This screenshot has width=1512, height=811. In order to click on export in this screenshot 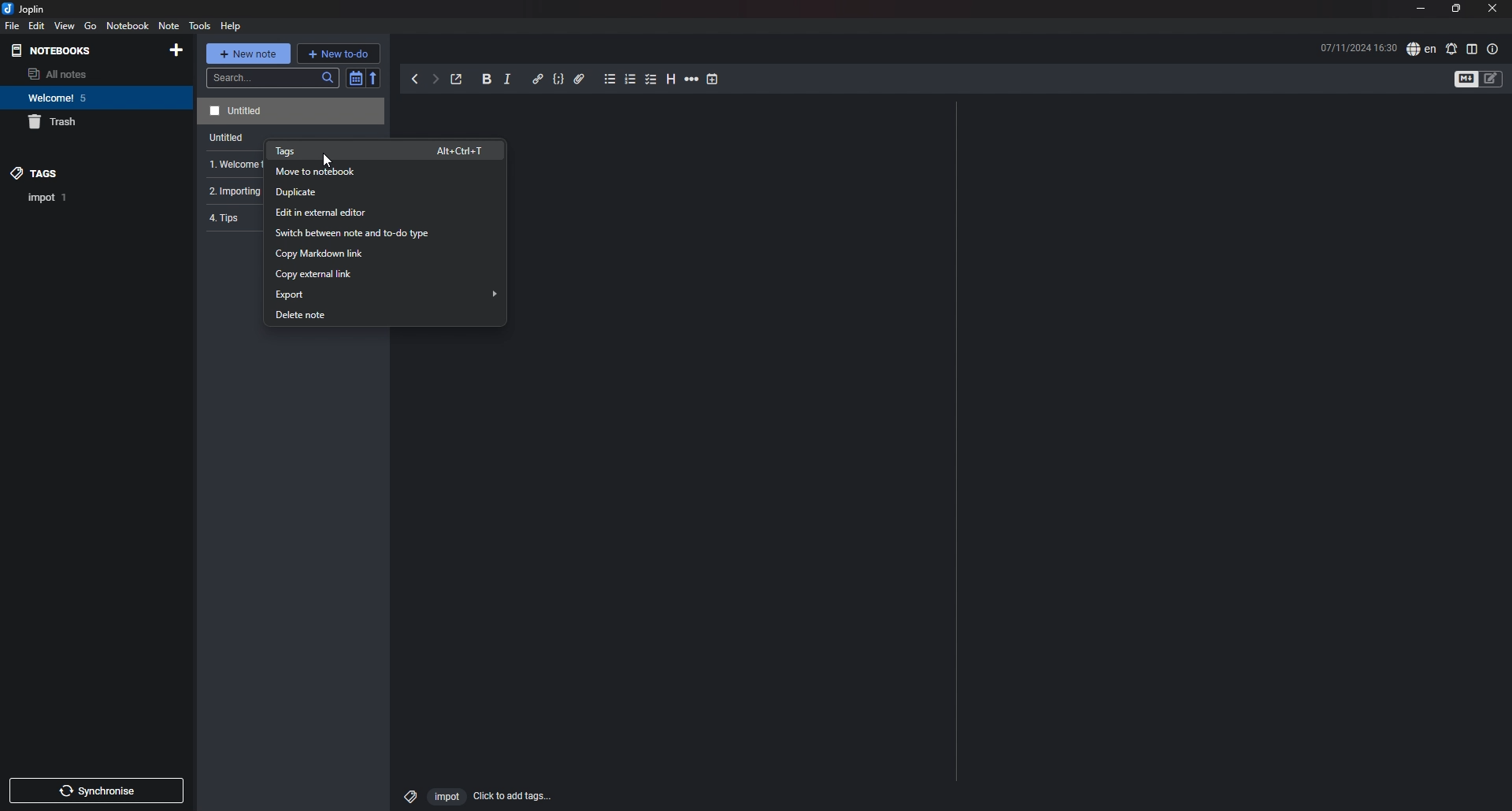, I will do `click(387, 294)`.